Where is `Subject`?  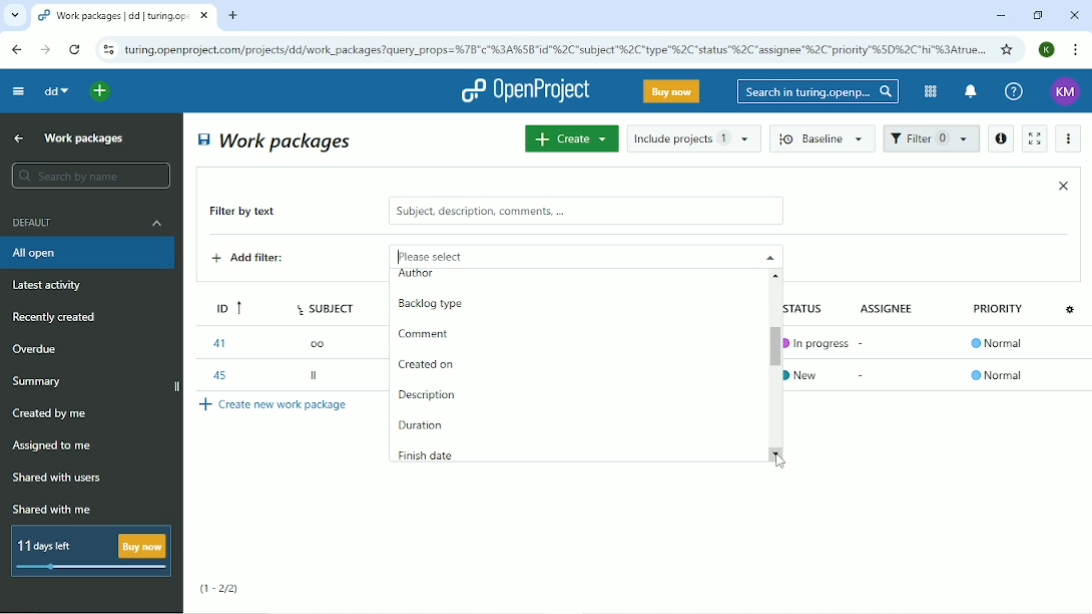
Subject is located at coordinates (328, 305).